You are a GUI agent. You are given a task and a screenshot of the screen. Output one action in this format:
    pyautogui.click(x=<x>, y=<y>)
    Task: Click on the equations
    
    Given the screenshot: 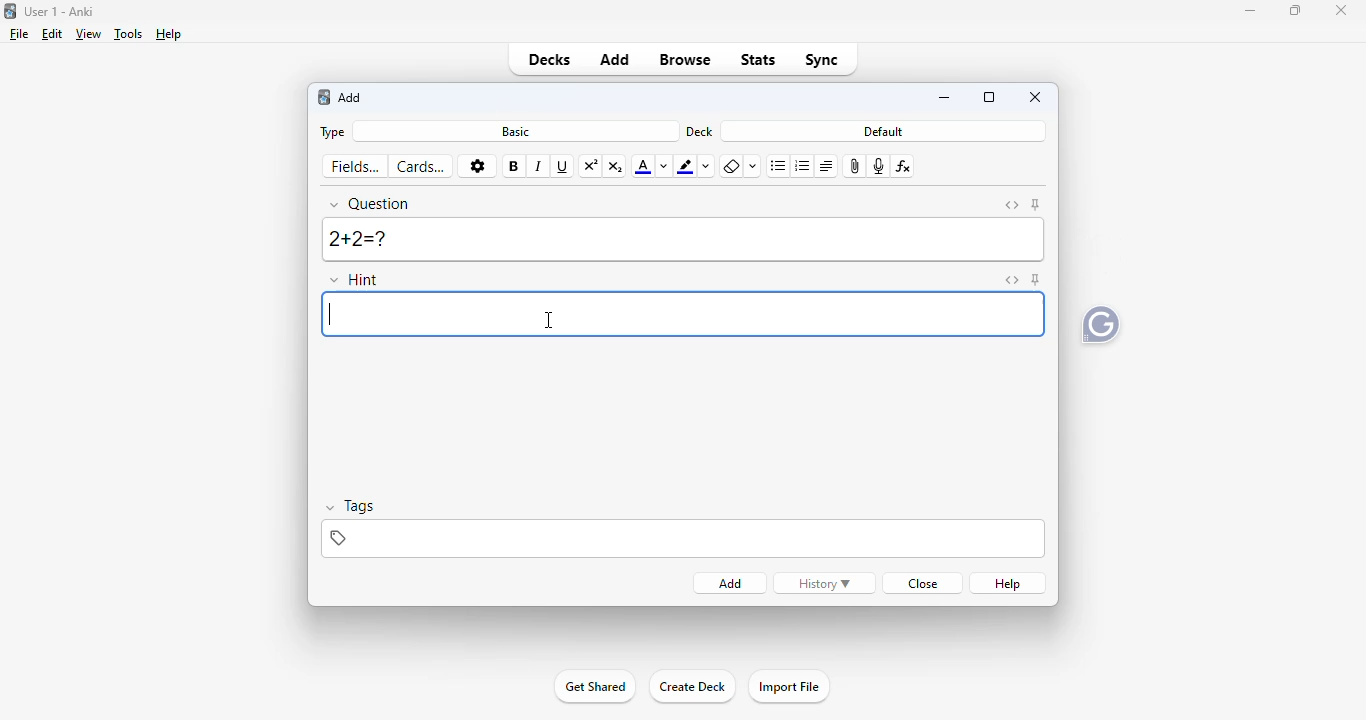 What is the action you would take?
    pyautogui.click(x=904, y=166)
    